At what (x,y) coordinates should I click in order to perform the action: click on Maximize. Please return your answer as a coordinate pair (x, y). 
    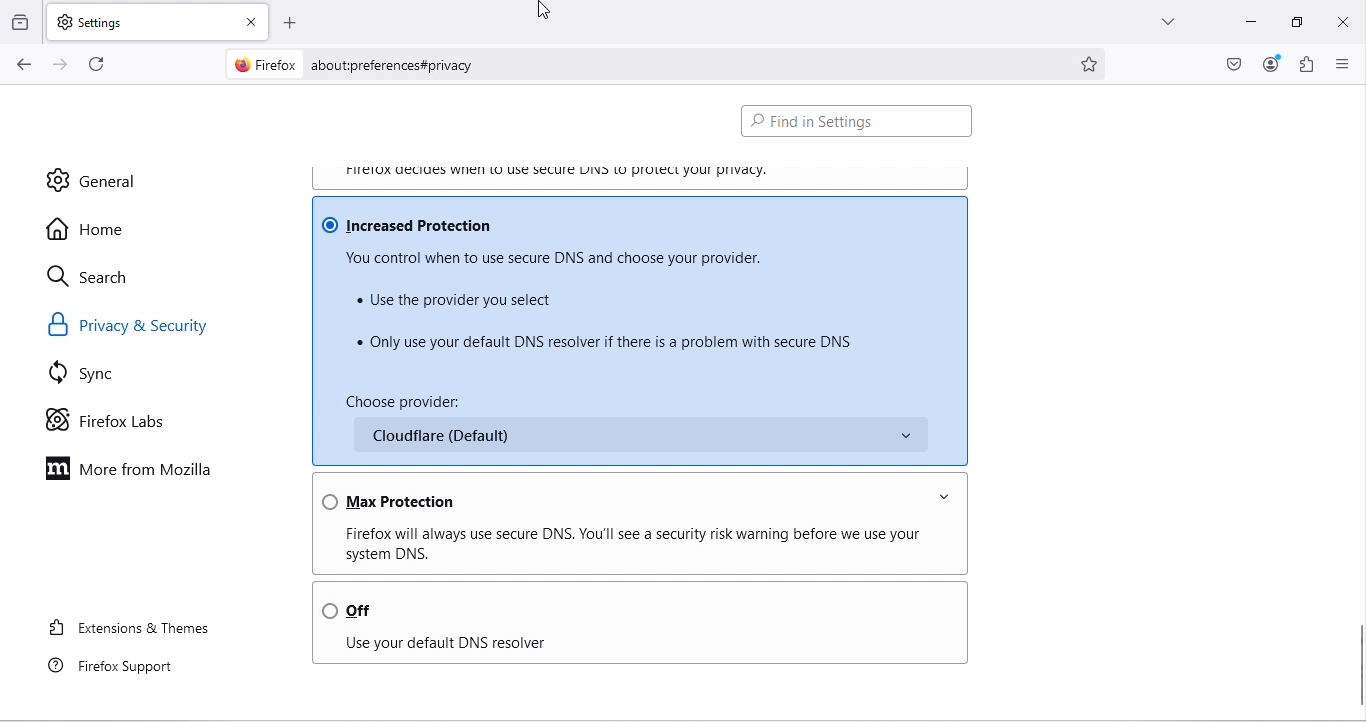
    Looking at the image, I should click on (1295, 23).